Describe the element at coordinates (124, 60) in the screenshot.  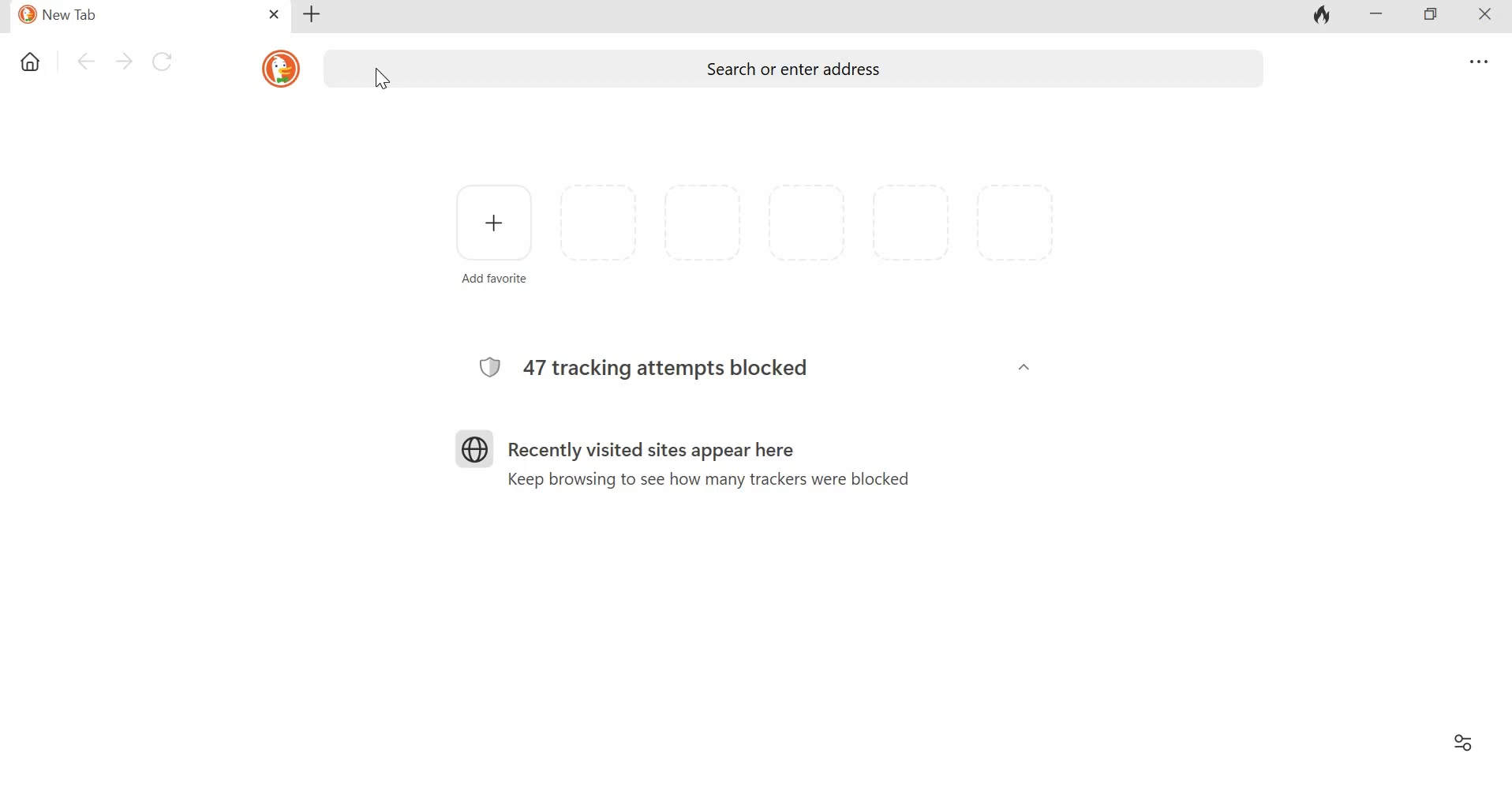
I see `Go forward page` at that location.